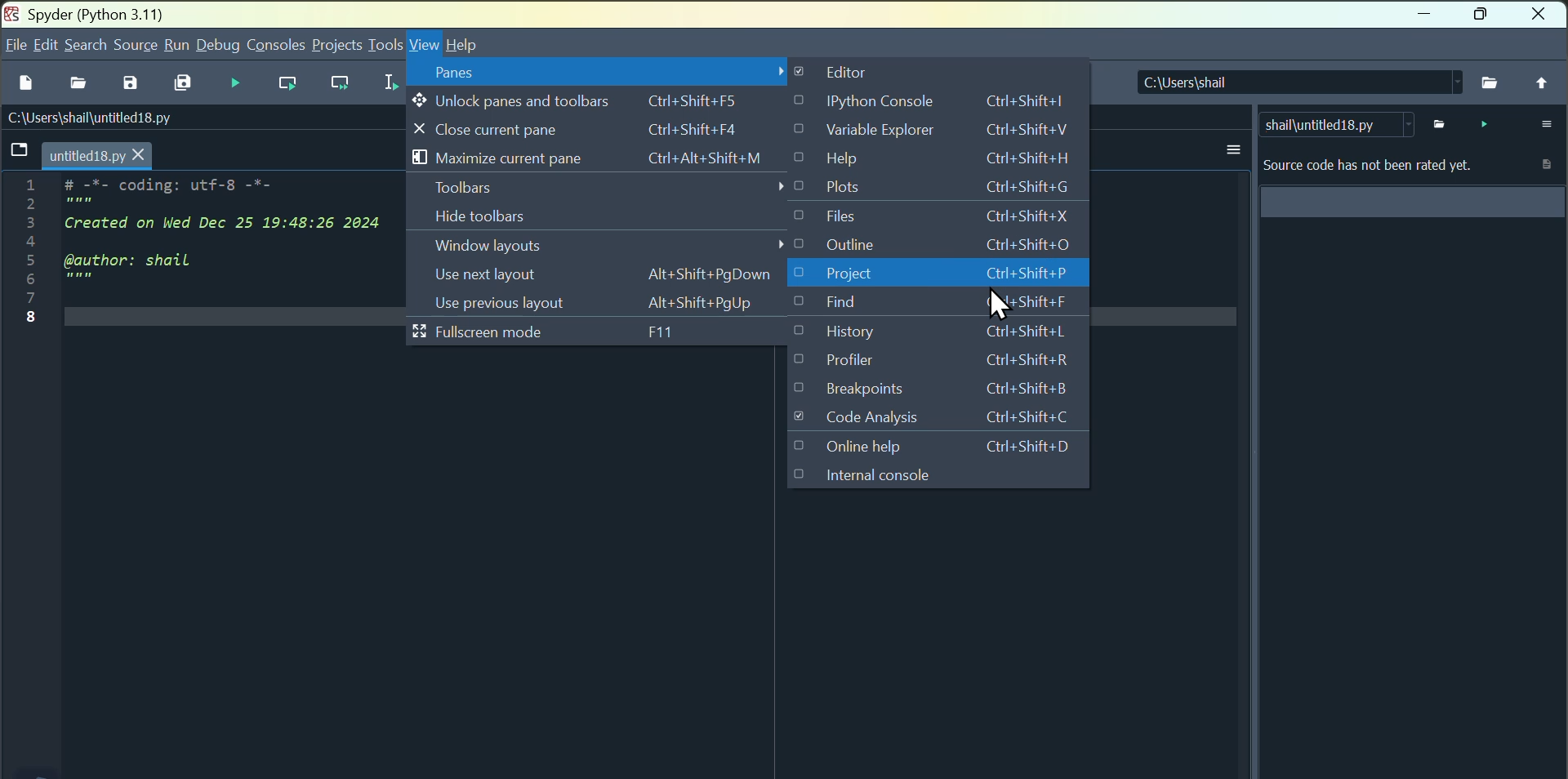 Image resolution: width=1568 pixels, height=779 pixels. I want to click on Full screen mode, so click(562, 333).